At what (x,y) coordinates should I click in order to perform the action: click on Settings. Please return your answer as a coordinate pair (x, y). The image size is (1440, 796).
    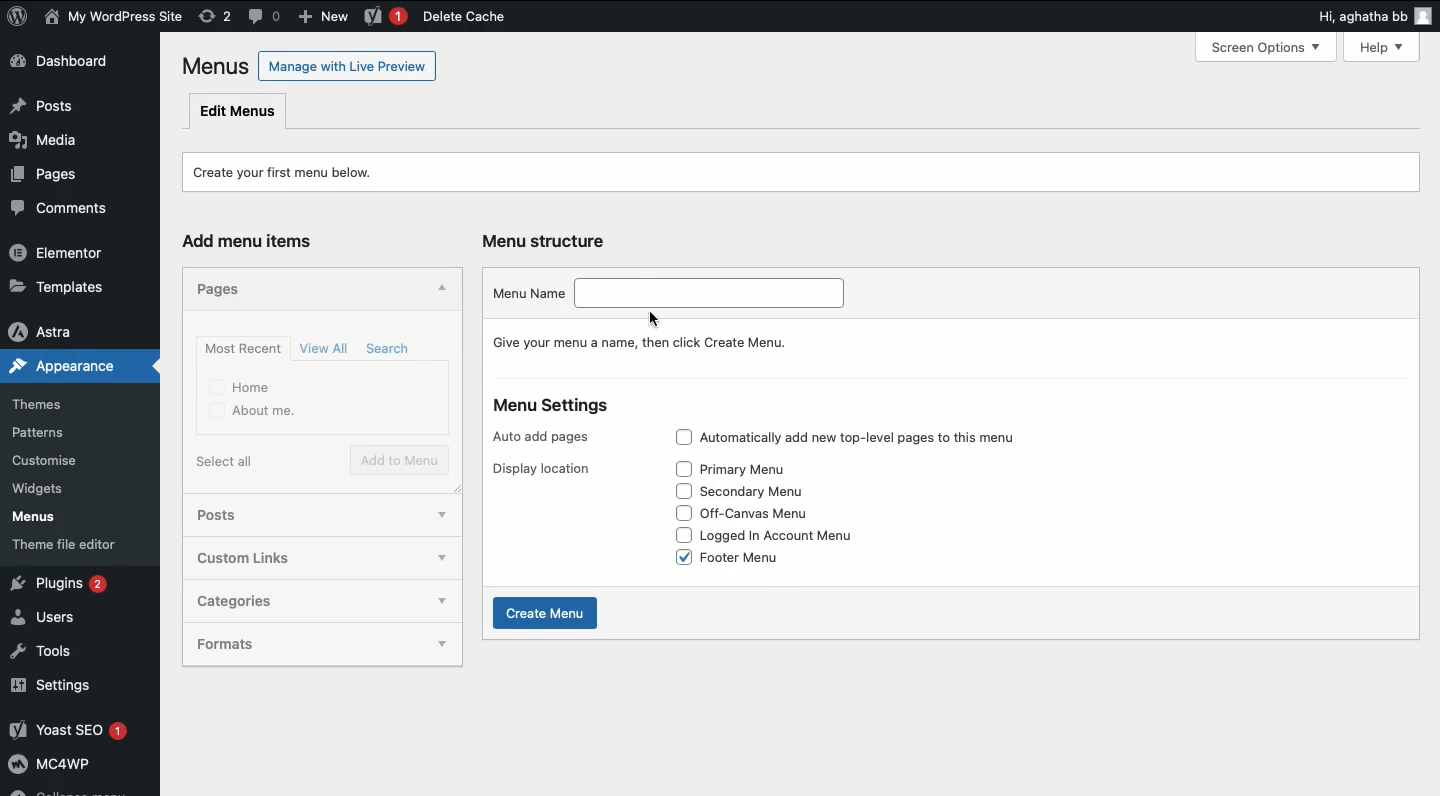
    Looking at the image, I should click on (75, 687).